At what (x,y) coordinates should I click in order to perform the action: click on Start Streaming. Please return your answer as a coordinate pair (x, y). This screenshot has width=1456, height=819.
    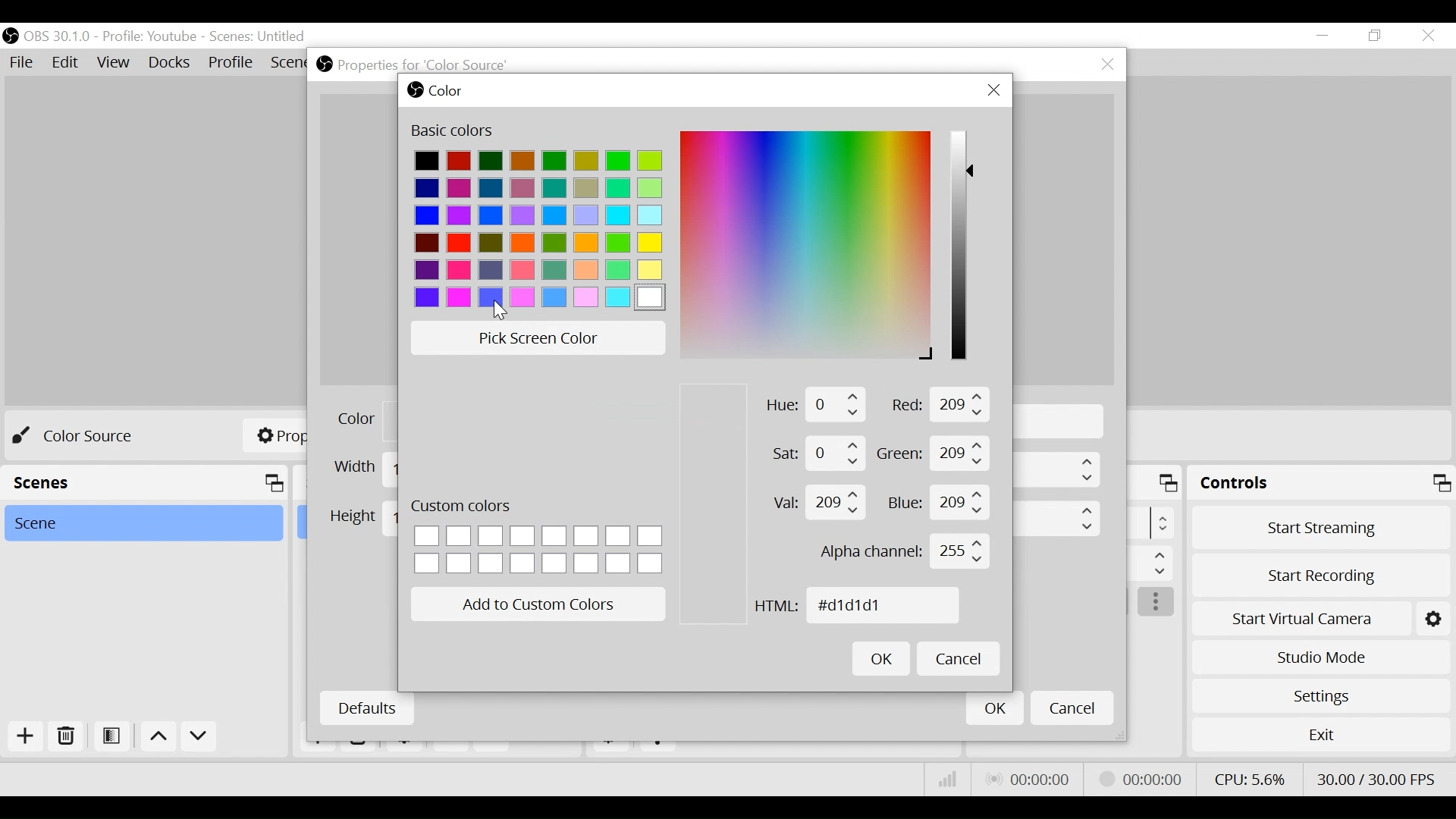
    Looking at the image, I should click on (1321, 531).